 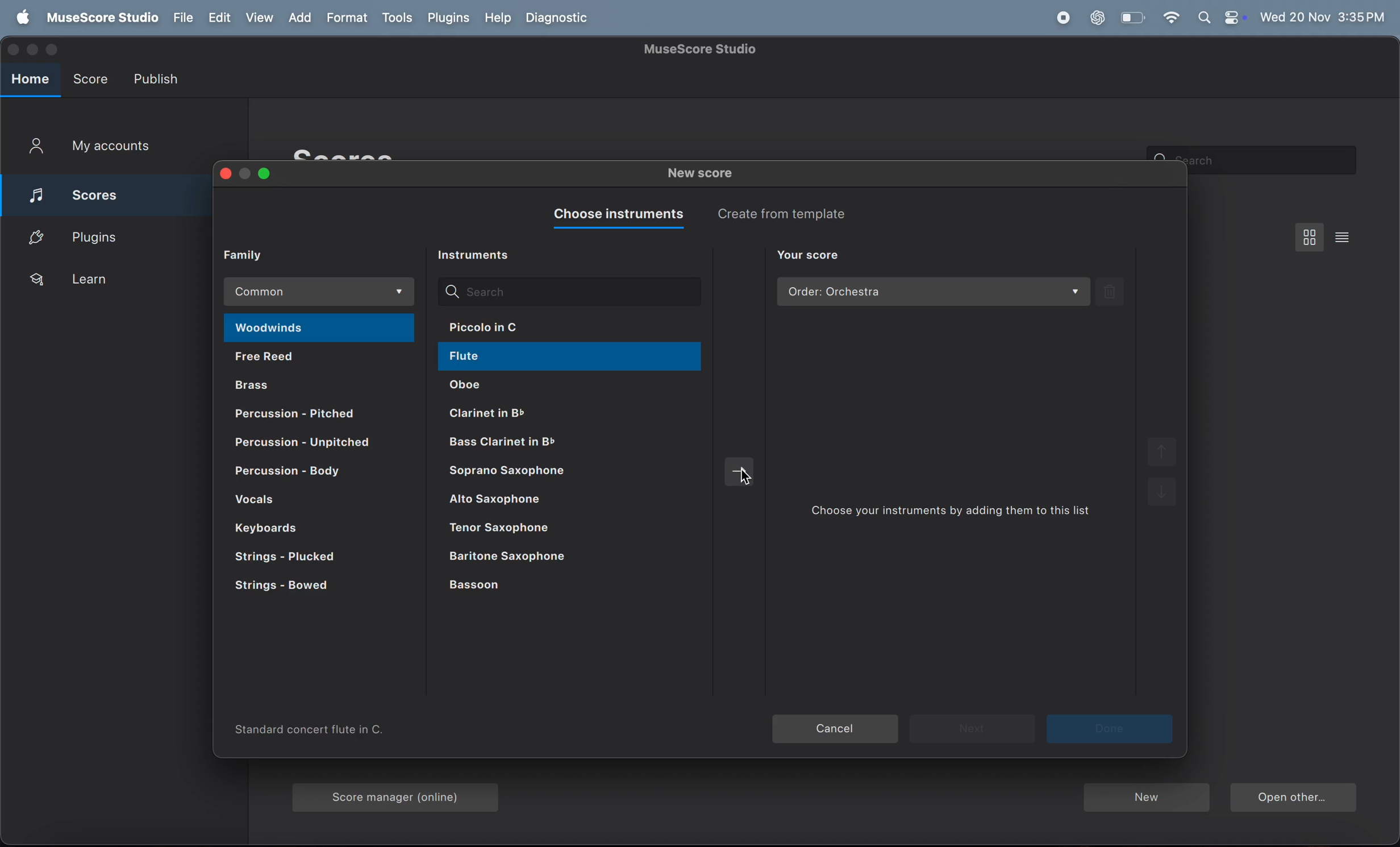 I want to click on view, so click(x=261, y=18).